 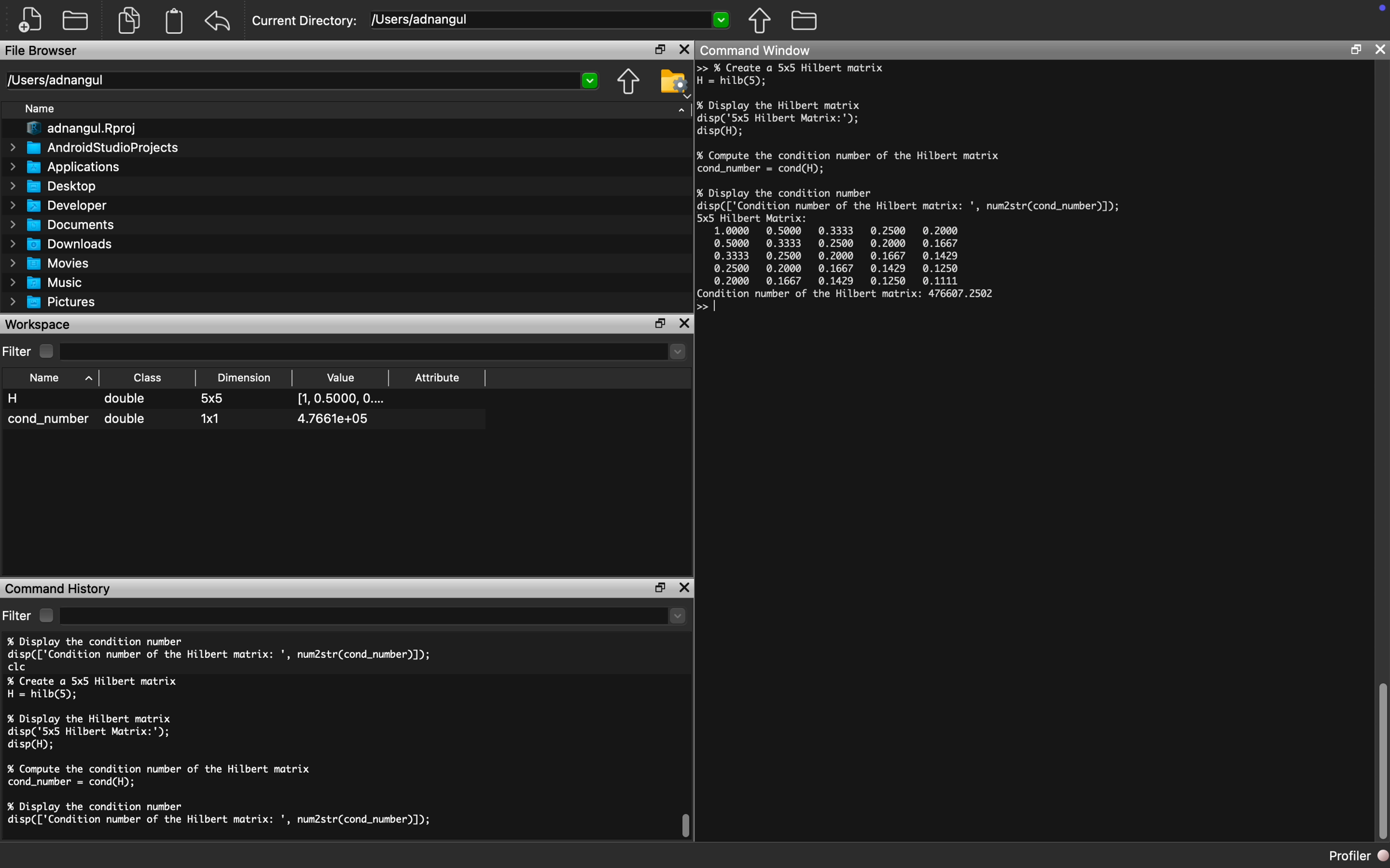 What do you see at coordinates (629, 81) in the screenshot?
I see `Parent Directory` at bounding box center [629, 81].